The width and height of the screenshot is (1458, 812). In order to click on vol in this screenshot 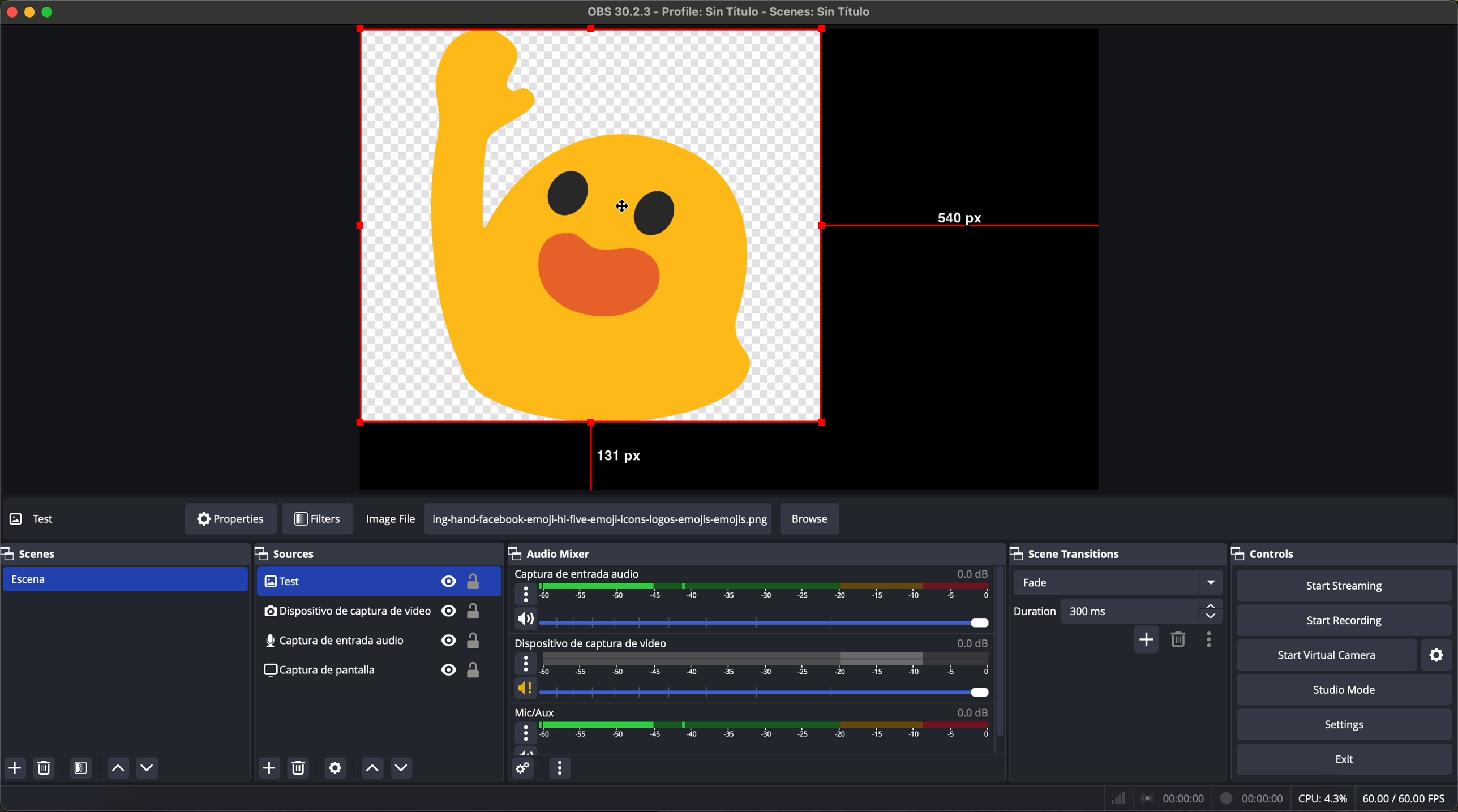, I will do `click(752, 619)`.